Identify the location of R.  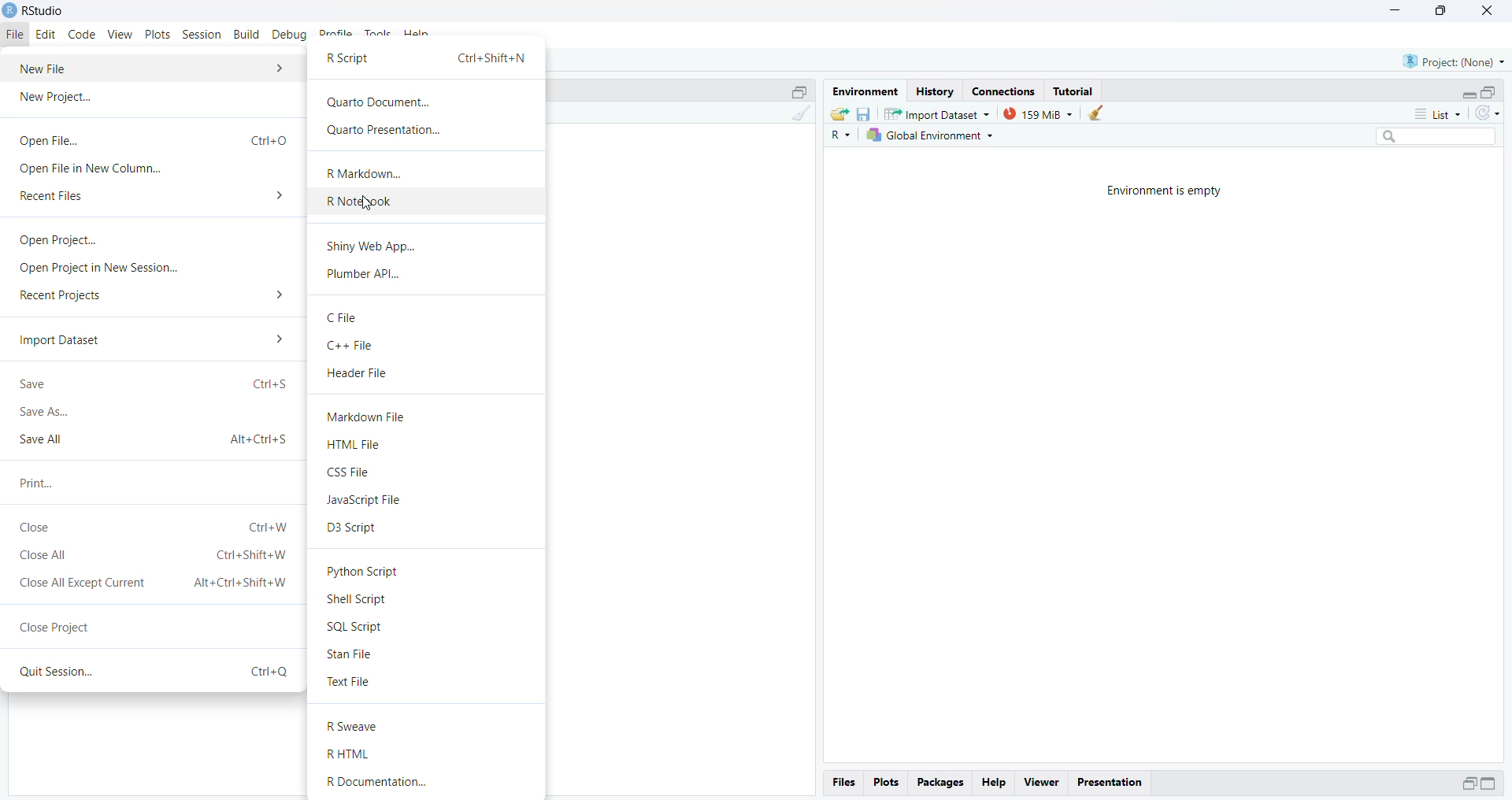
(838, 136).